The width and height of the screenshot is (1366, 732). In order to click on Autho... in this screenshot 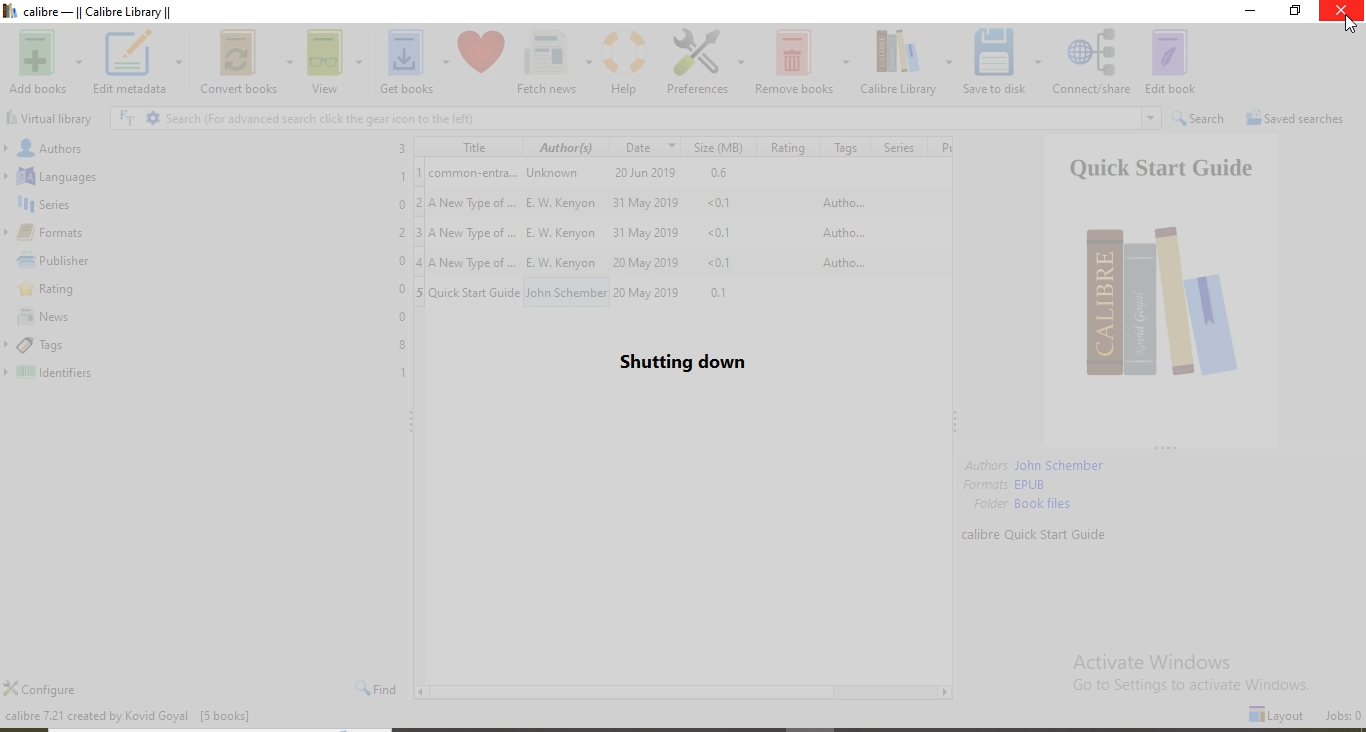, I will do `click(841, 230)`.